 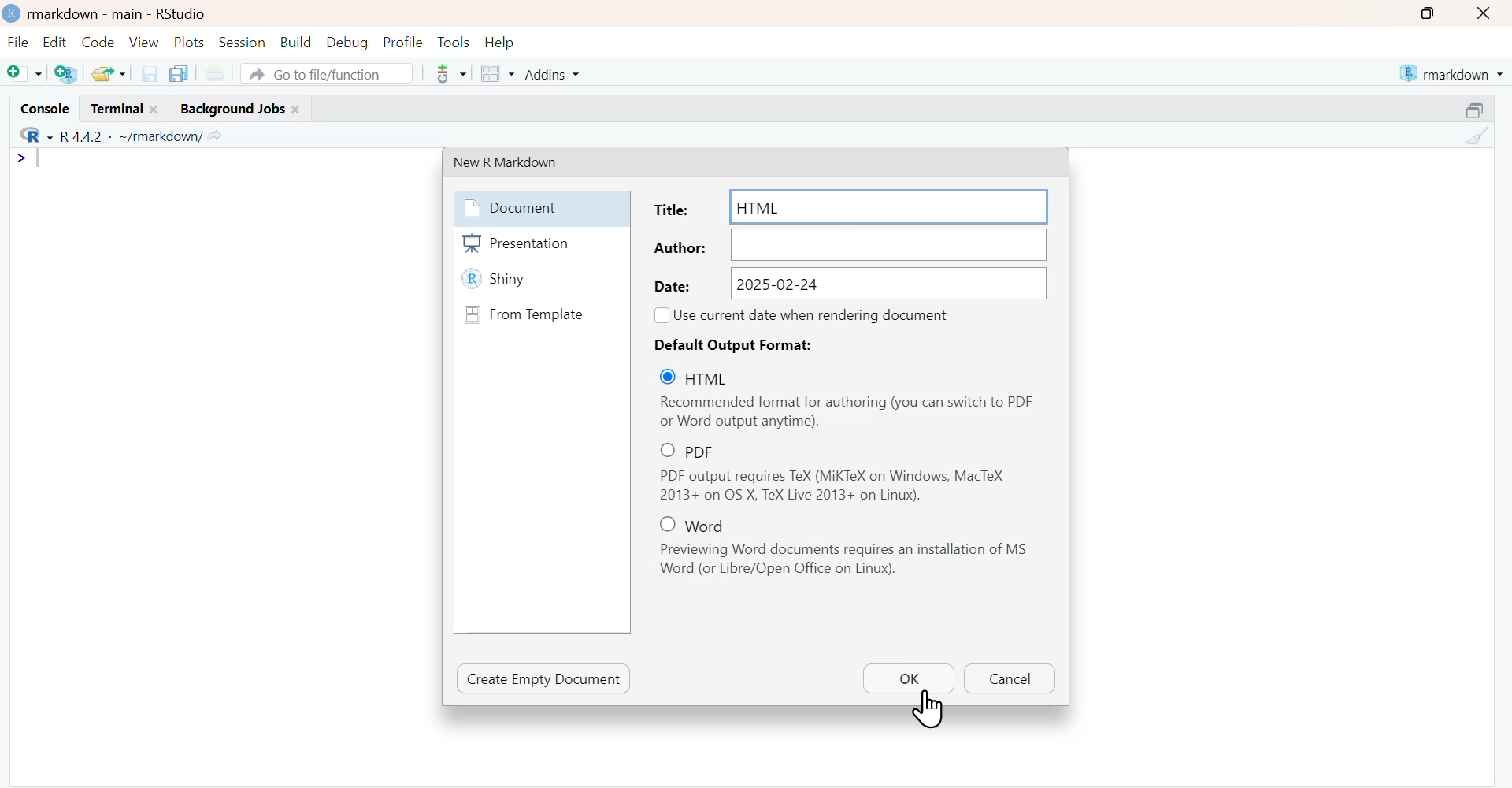 What do you see at coordinates (295, 43) in the screenshot?
I see `Build` at bounding box center [295, 43].